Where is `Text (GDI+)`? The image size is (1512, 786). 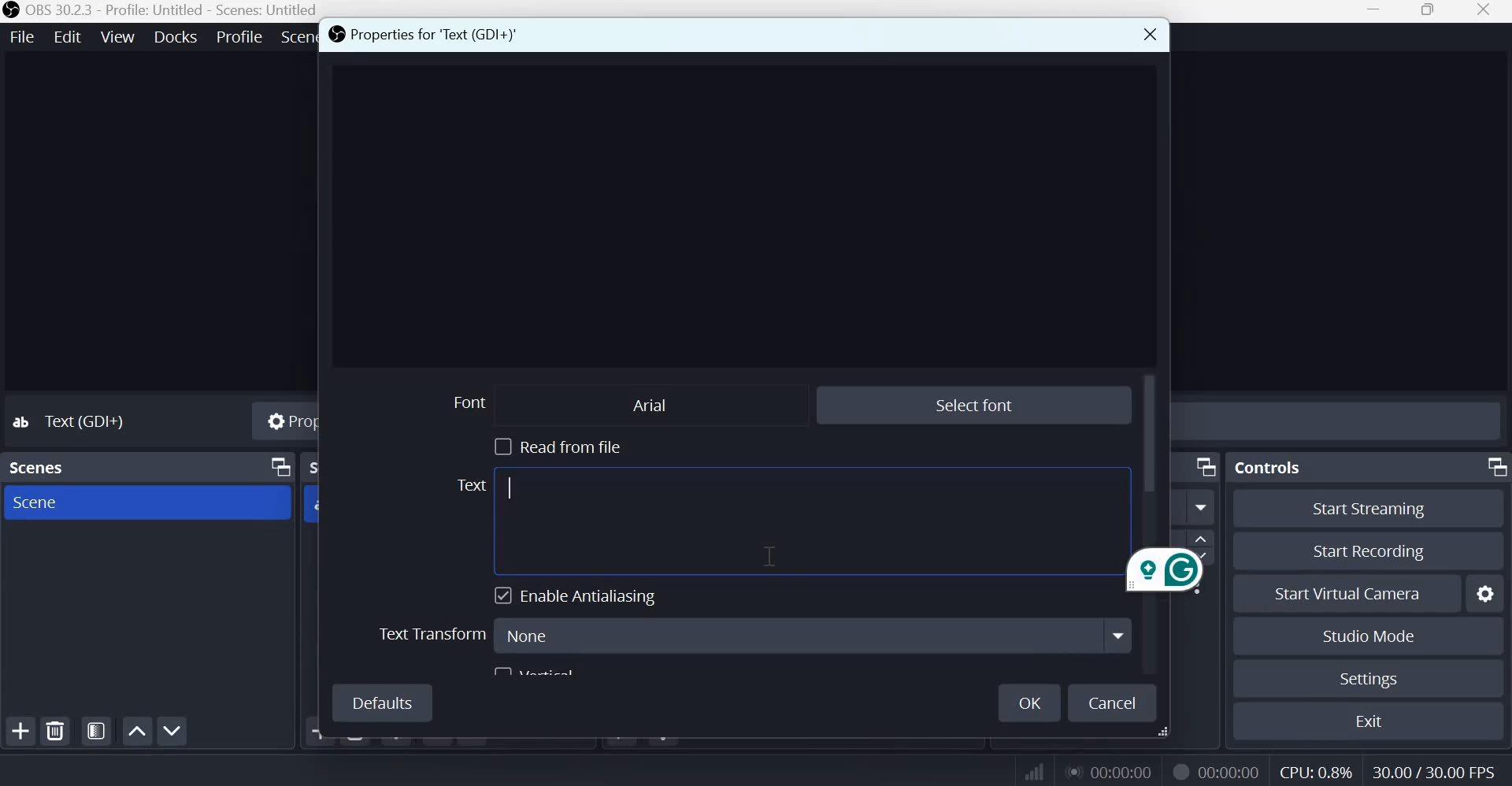 Text (GDI+) is located at coordinates (83, 421).